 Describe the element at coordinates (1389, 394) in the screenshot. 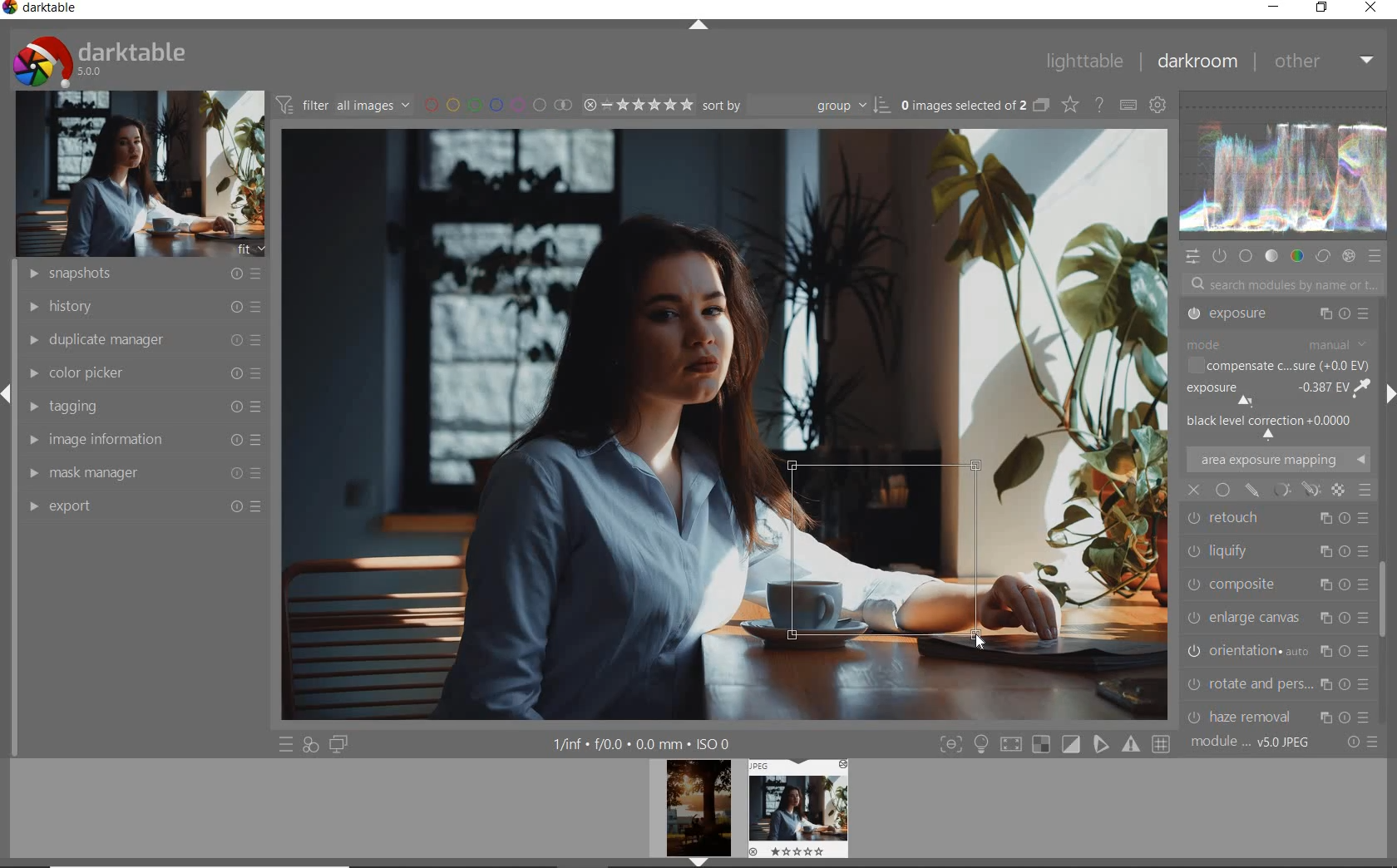

I see `EXPAND/COLLAPSE` at that location.